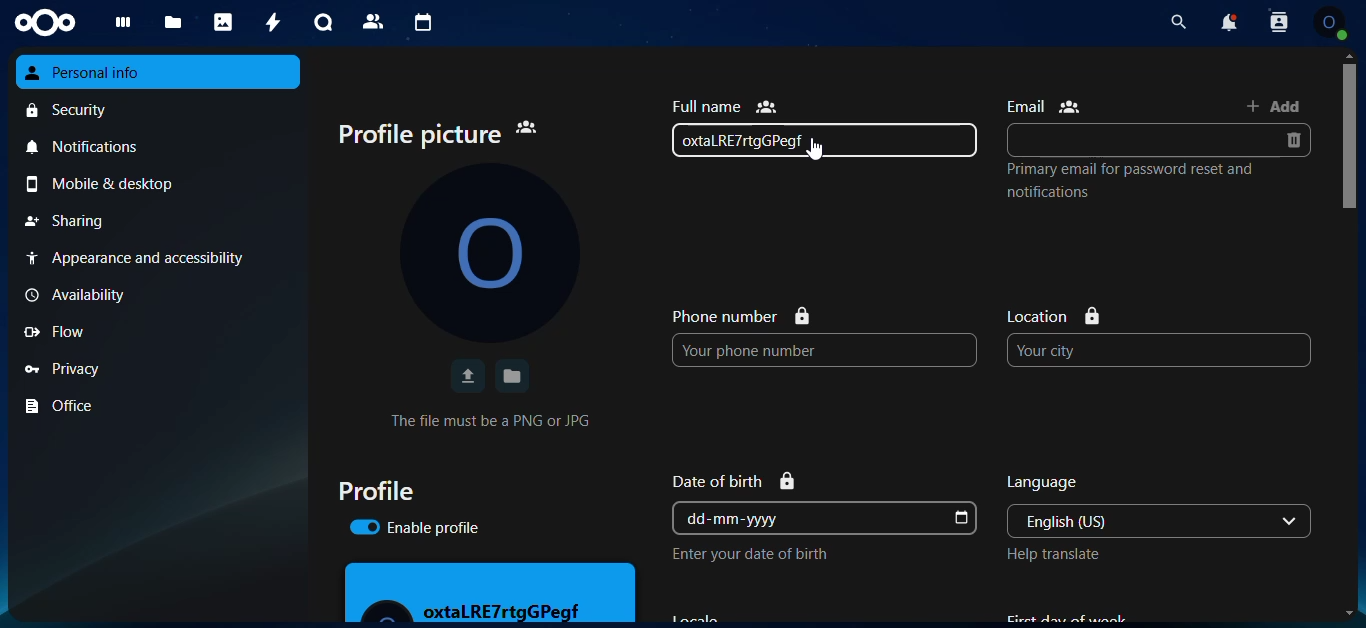 The height and width of the screenshot is (628, 1366). What do you see at coordinates (1139, 521) in the screenshot?
I see `English (US)` at bounding box center [1139, 521].